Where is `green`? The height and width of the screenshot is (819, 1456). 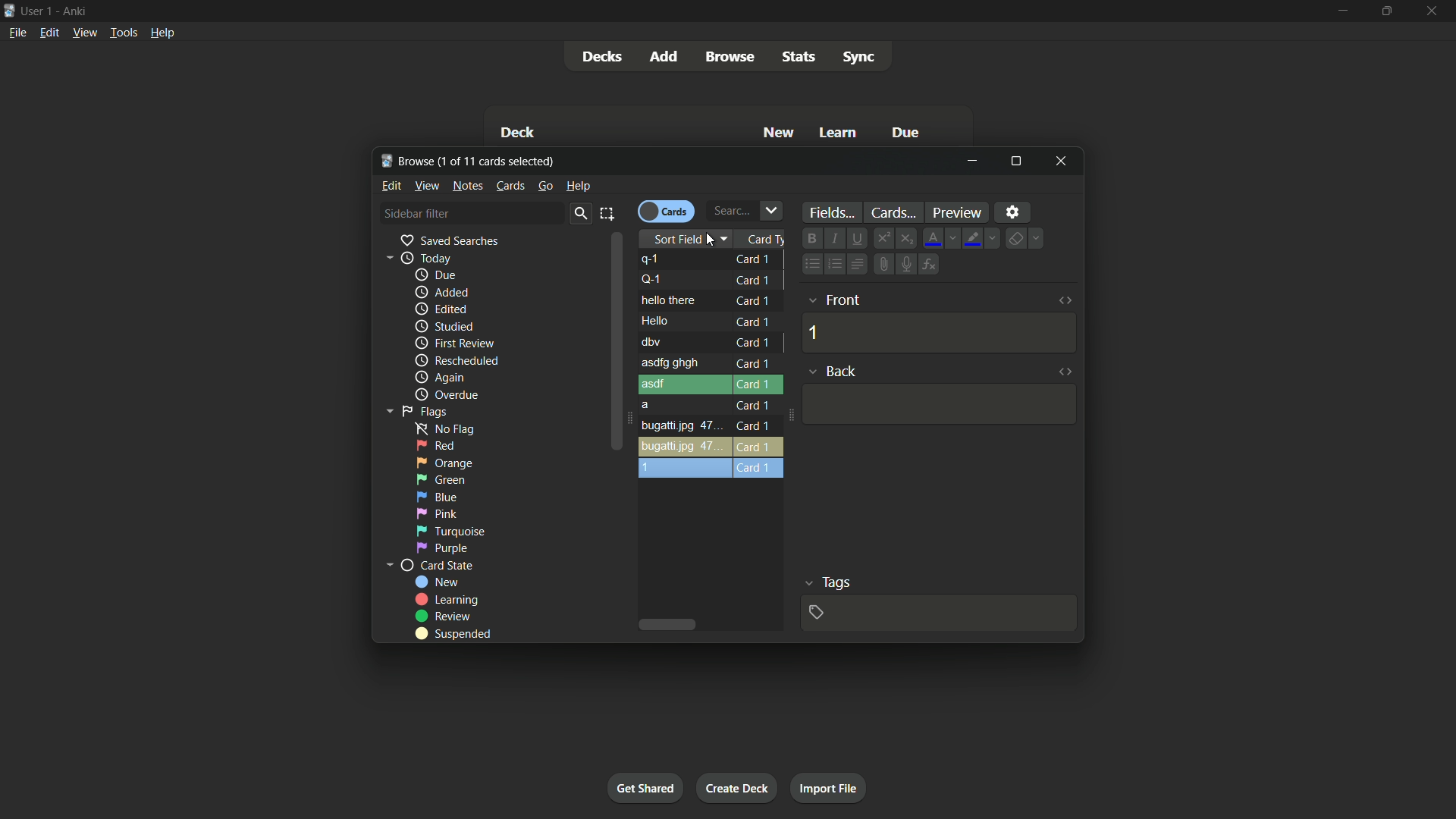 green is located at coordinates (444, 479).